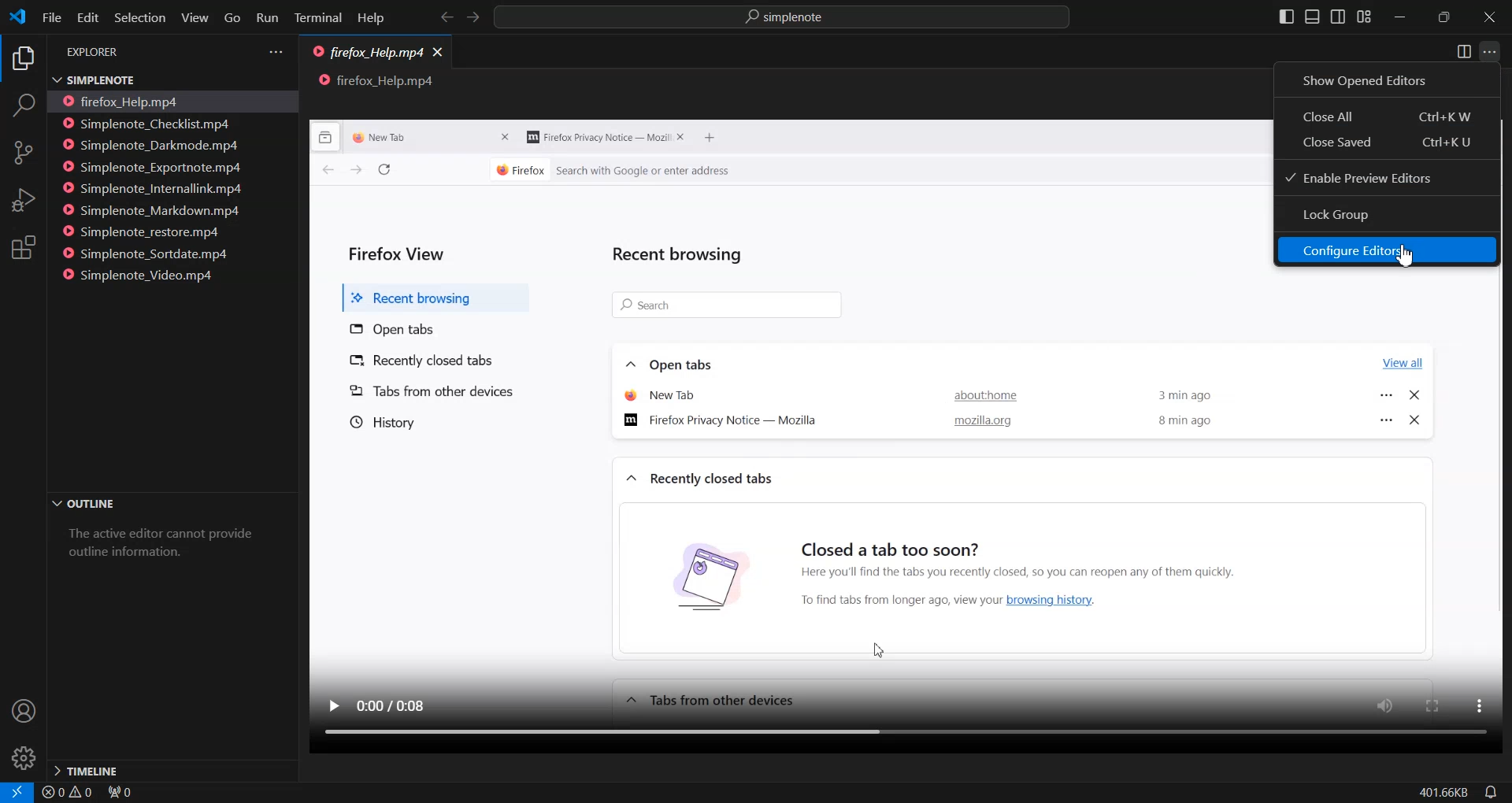 Image resolution: width=1512 pixels, height=803 pixels. What do you see at coordinates (1388, 177) in the screenshot?
I see `Enable preview Editors` at bounding box center [1388, 177].